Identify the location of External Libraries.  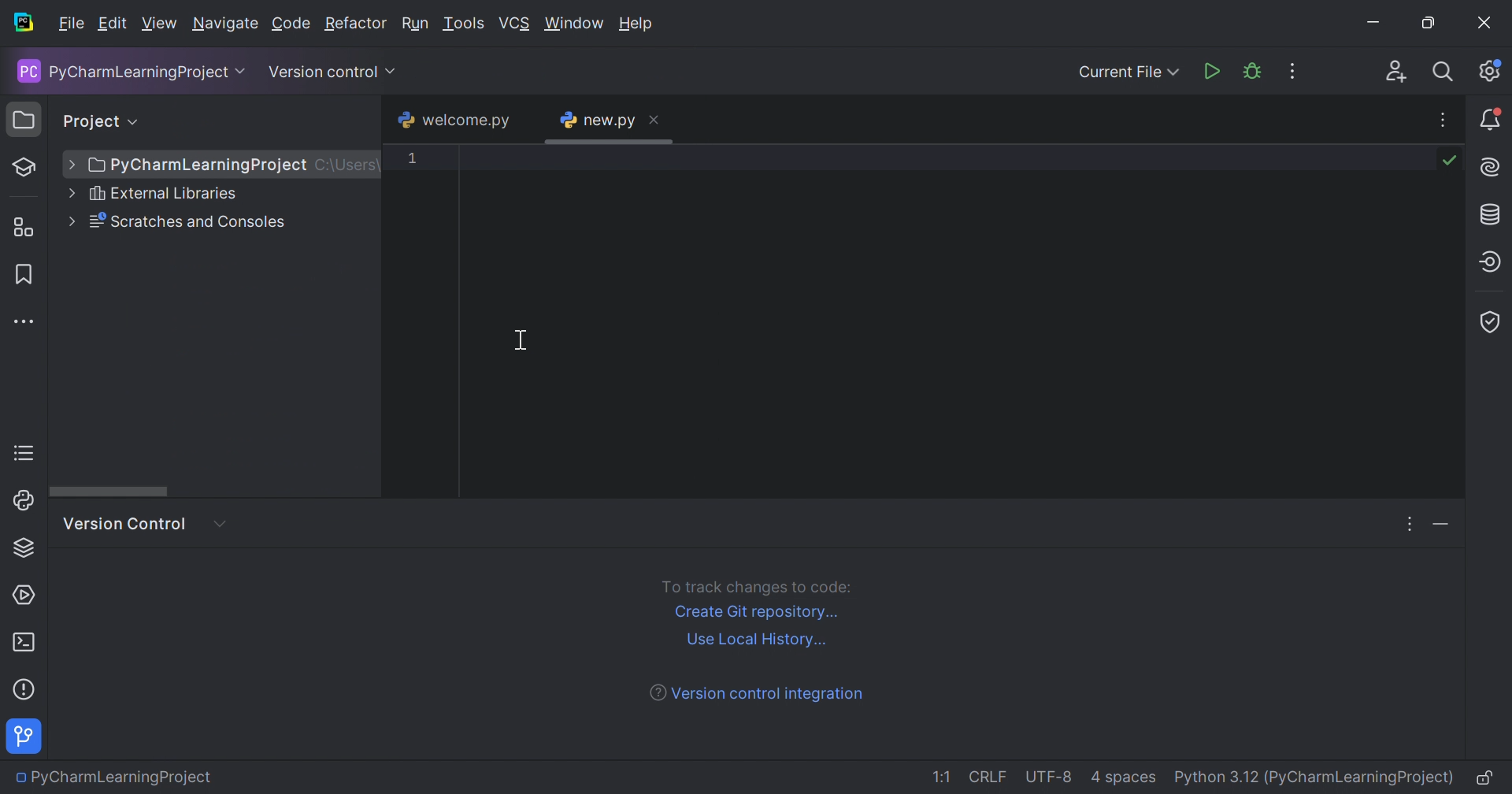
(165, 193).